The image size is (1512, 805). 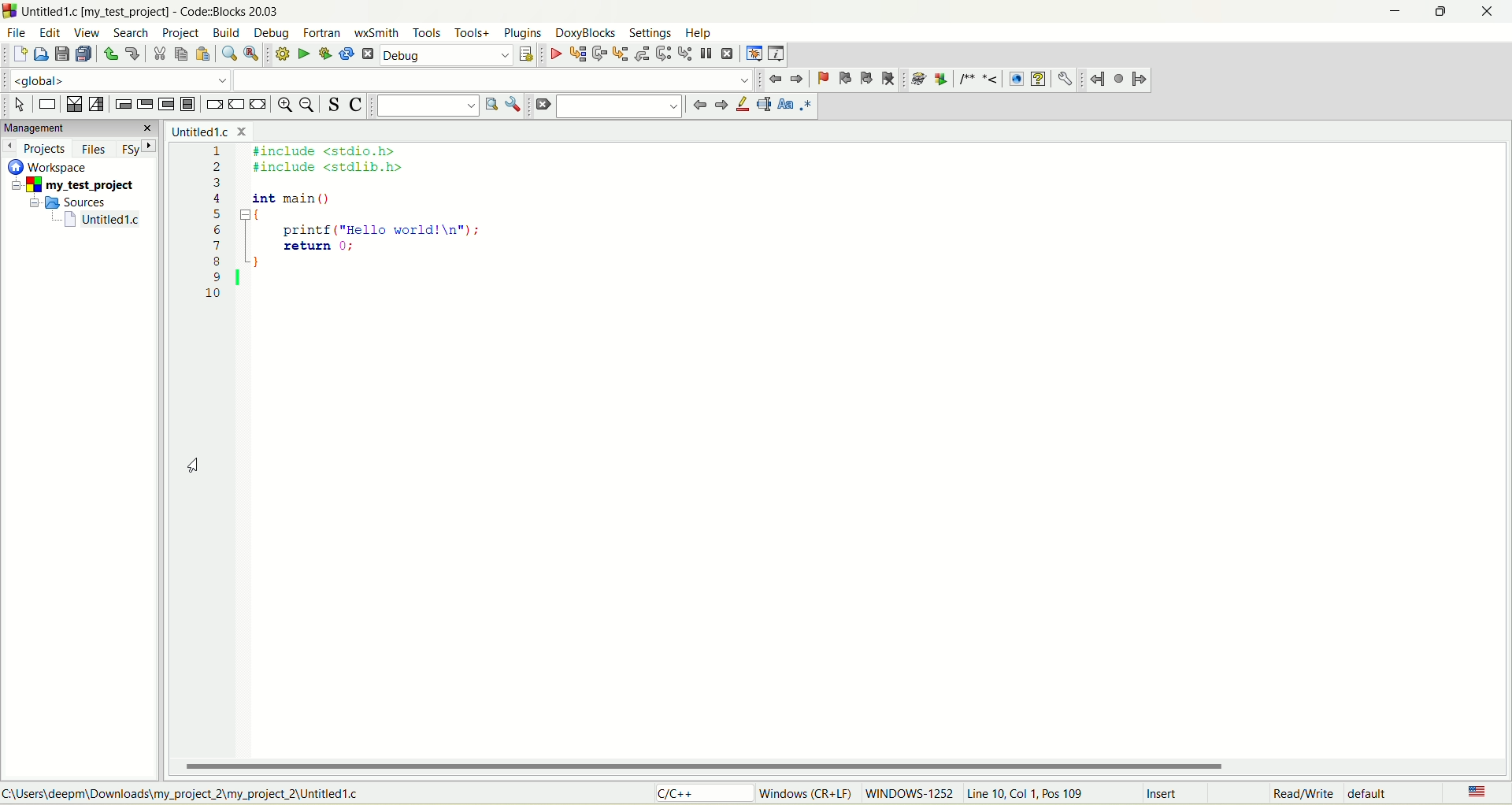 What do you see at coordinates (304, 53) in the screenshot?
I see `run` at bounding box center [304, 53].